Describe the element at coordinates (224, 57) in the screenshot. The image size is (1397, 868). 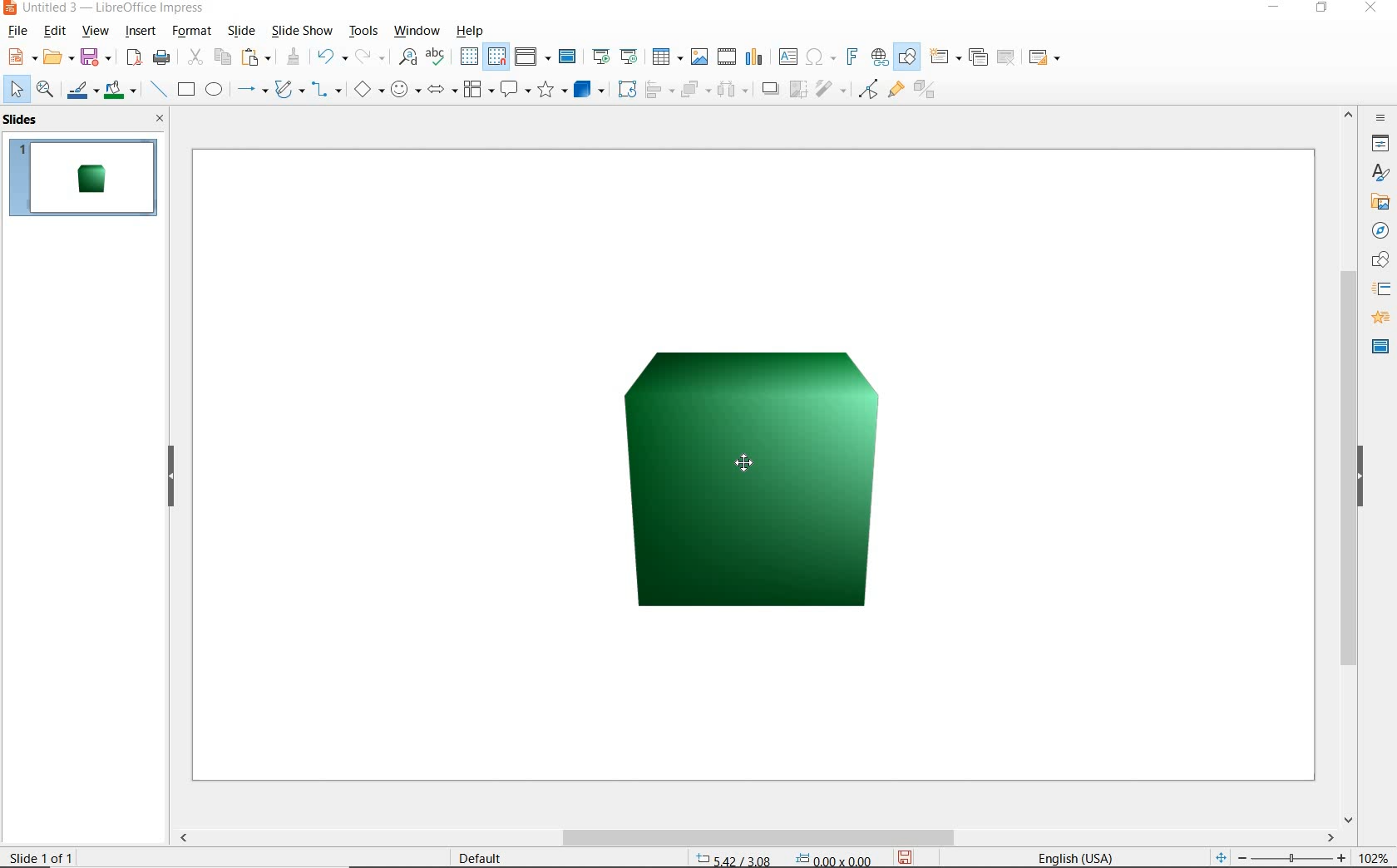
I see `copy` at that location.